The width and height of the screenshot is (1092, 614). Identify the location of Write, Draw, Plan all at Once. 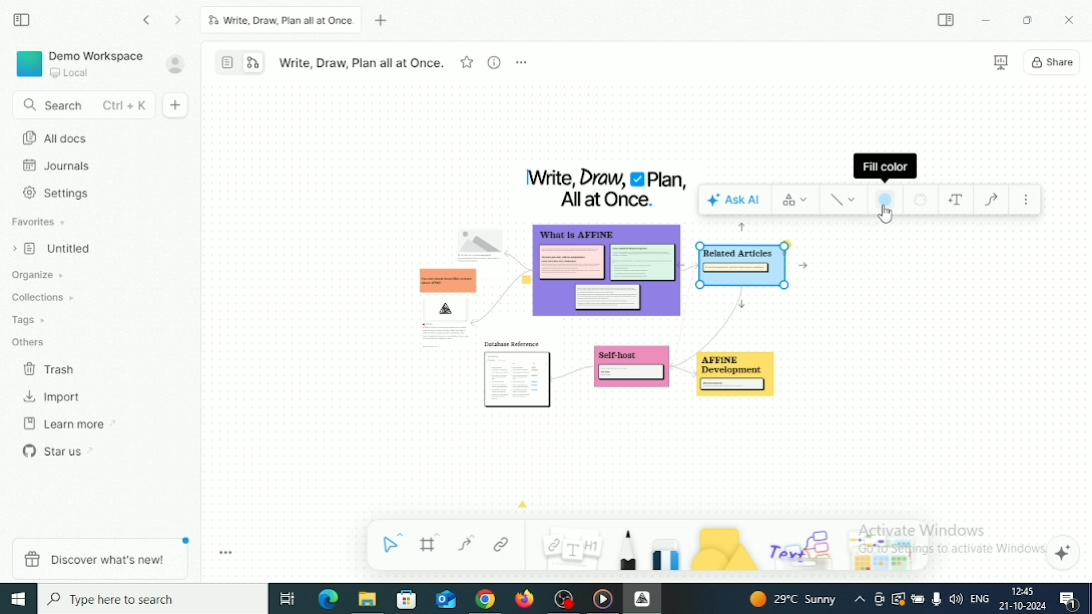
(281, 20).